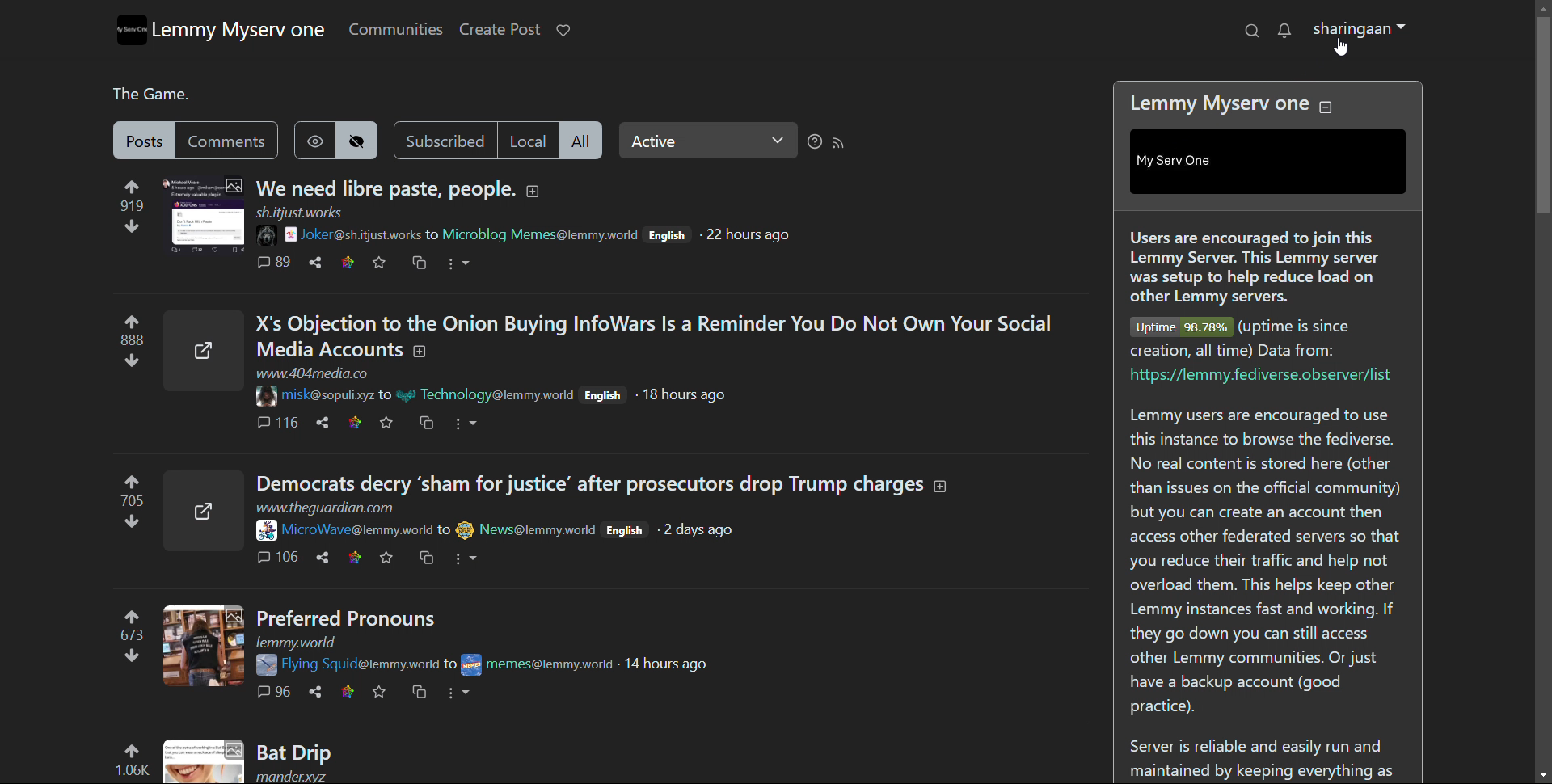 This screenshot has height=784, width=1552. Describe the element at coordinates (1258, 339) in the screenshot. I see `Uptime 98.78% (uptime is since
creation, all time) Data from:` at that location.